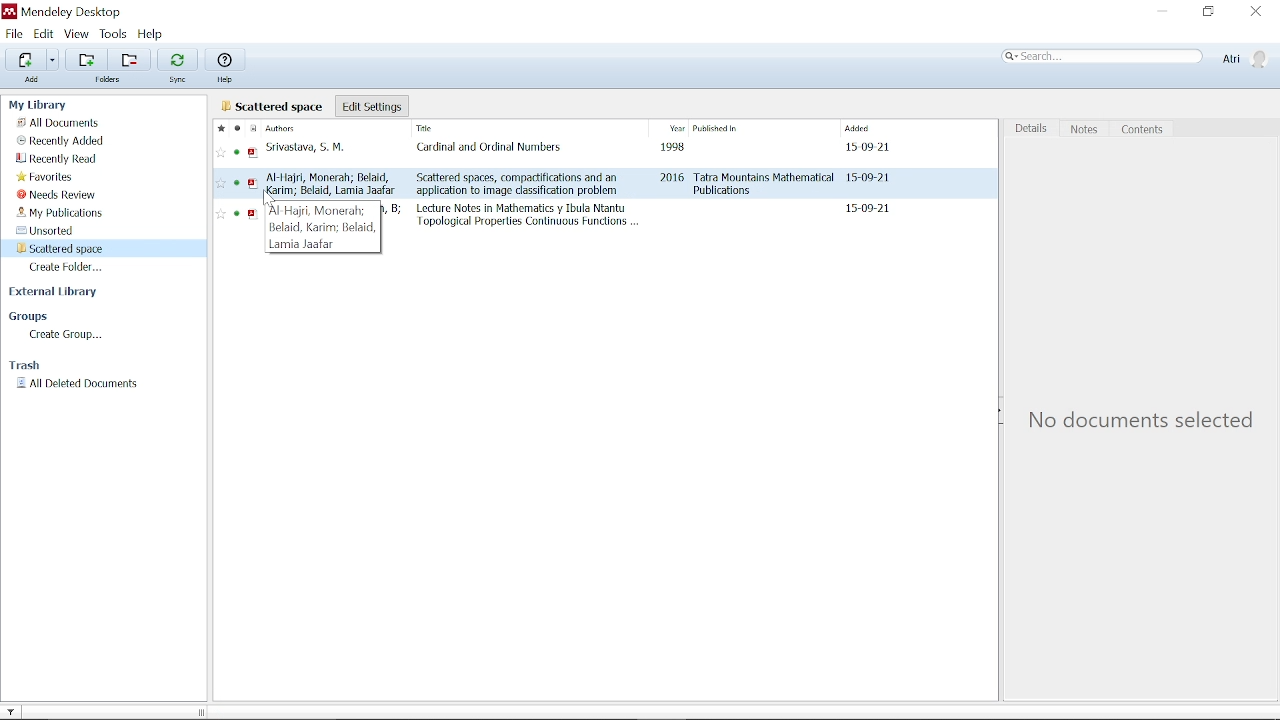  Describe the element at coordinates (865, 210) in the screenshot. I see `date` at that location.